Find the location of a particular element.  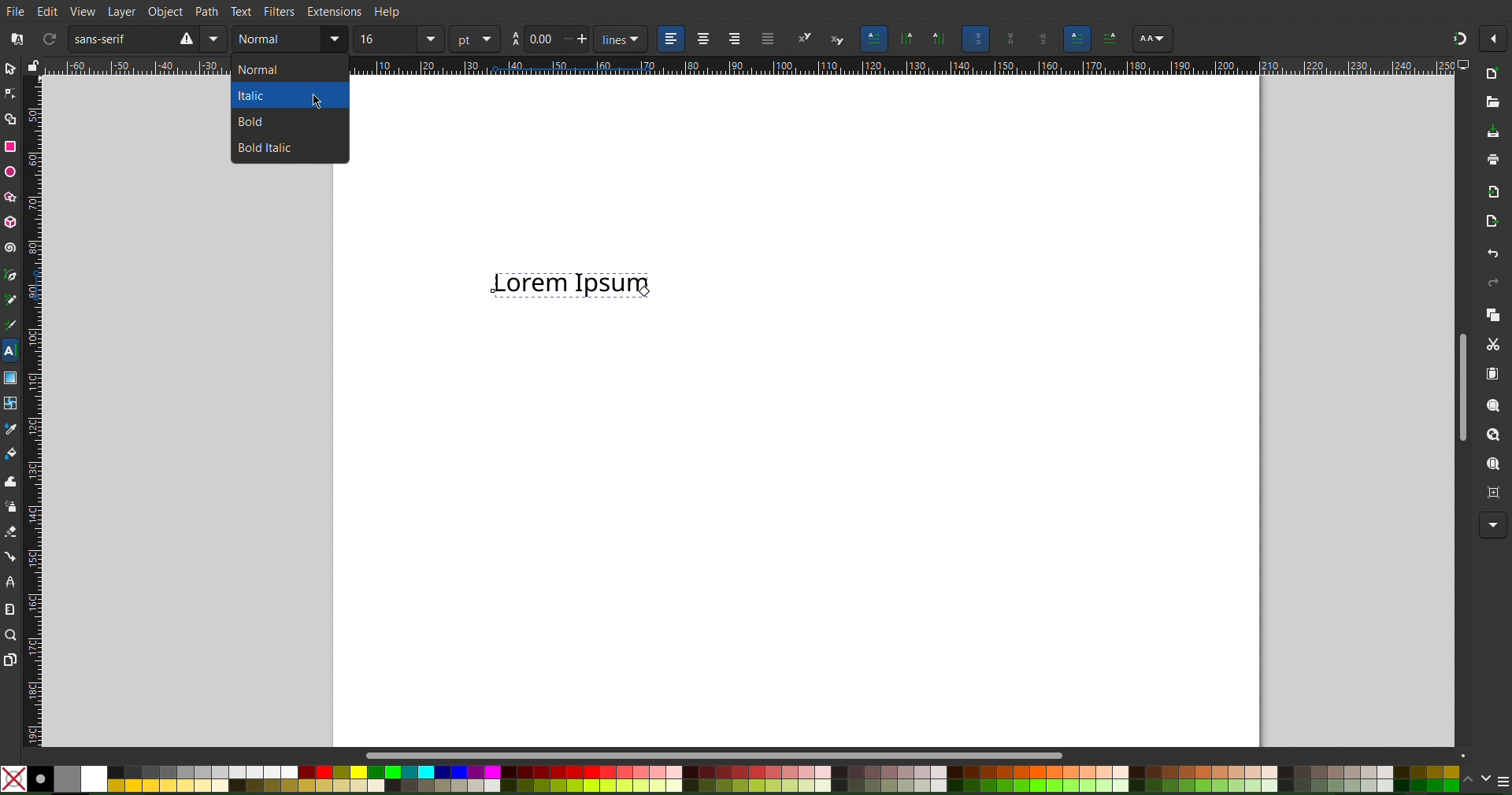

Sans Serif is located at coordinates (108, 39).